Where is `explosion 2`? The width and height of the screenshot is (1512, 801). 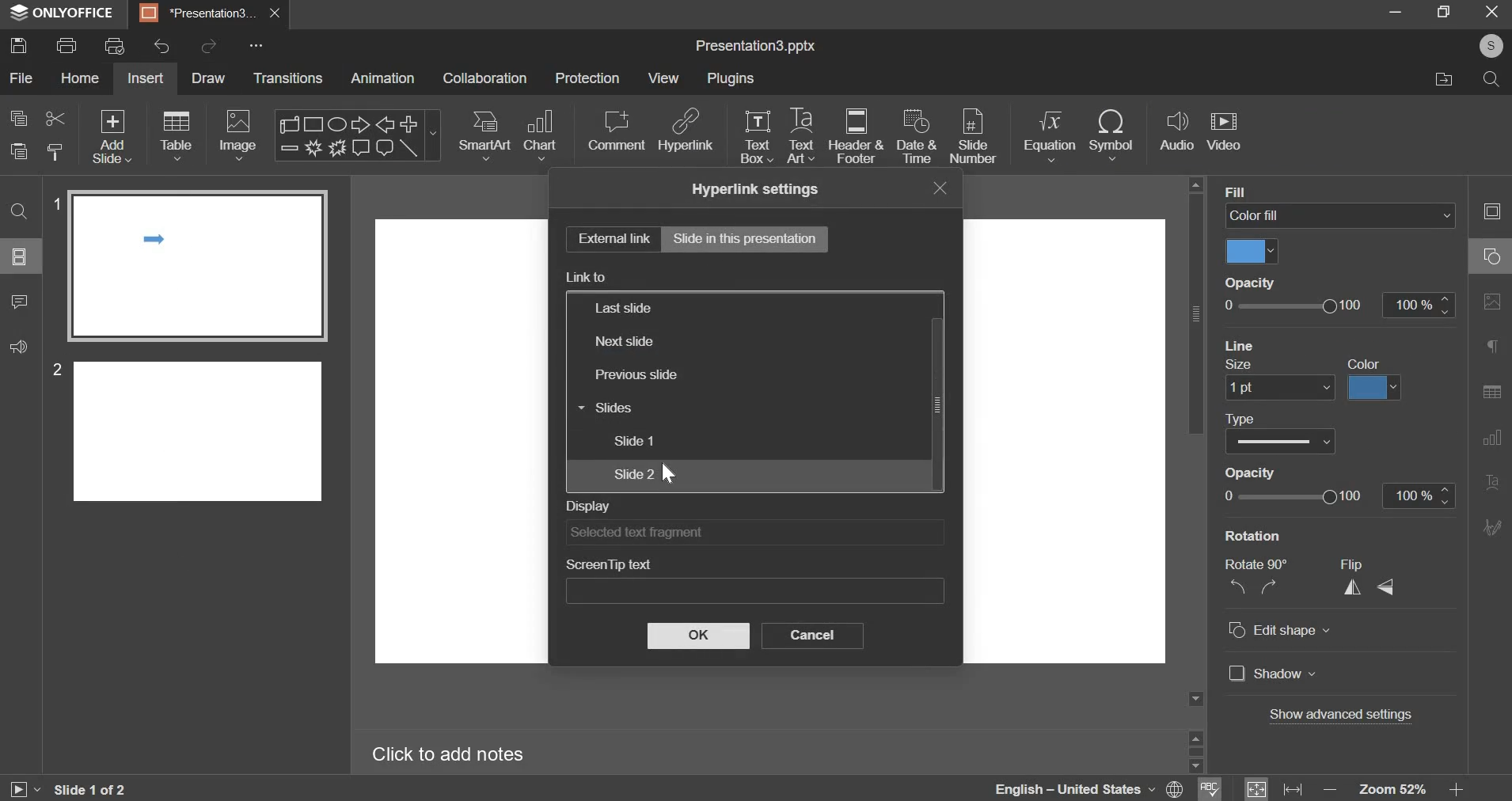
explosion 2 is located at coordinates (336, 148).